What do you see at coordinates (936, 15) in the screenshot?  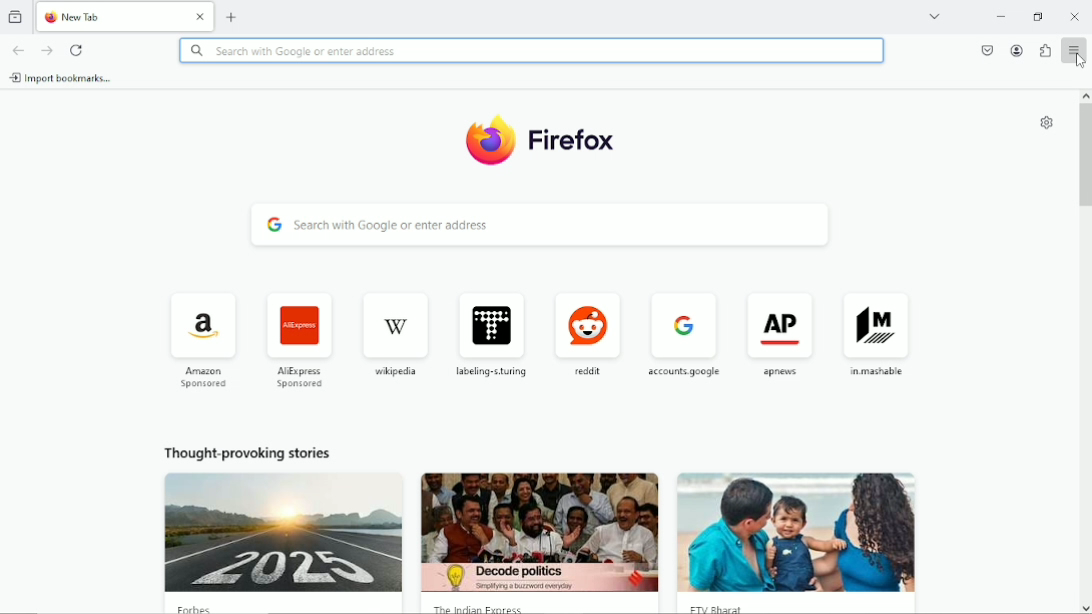 I see `list all tabs` at bounding box center [936, 15].